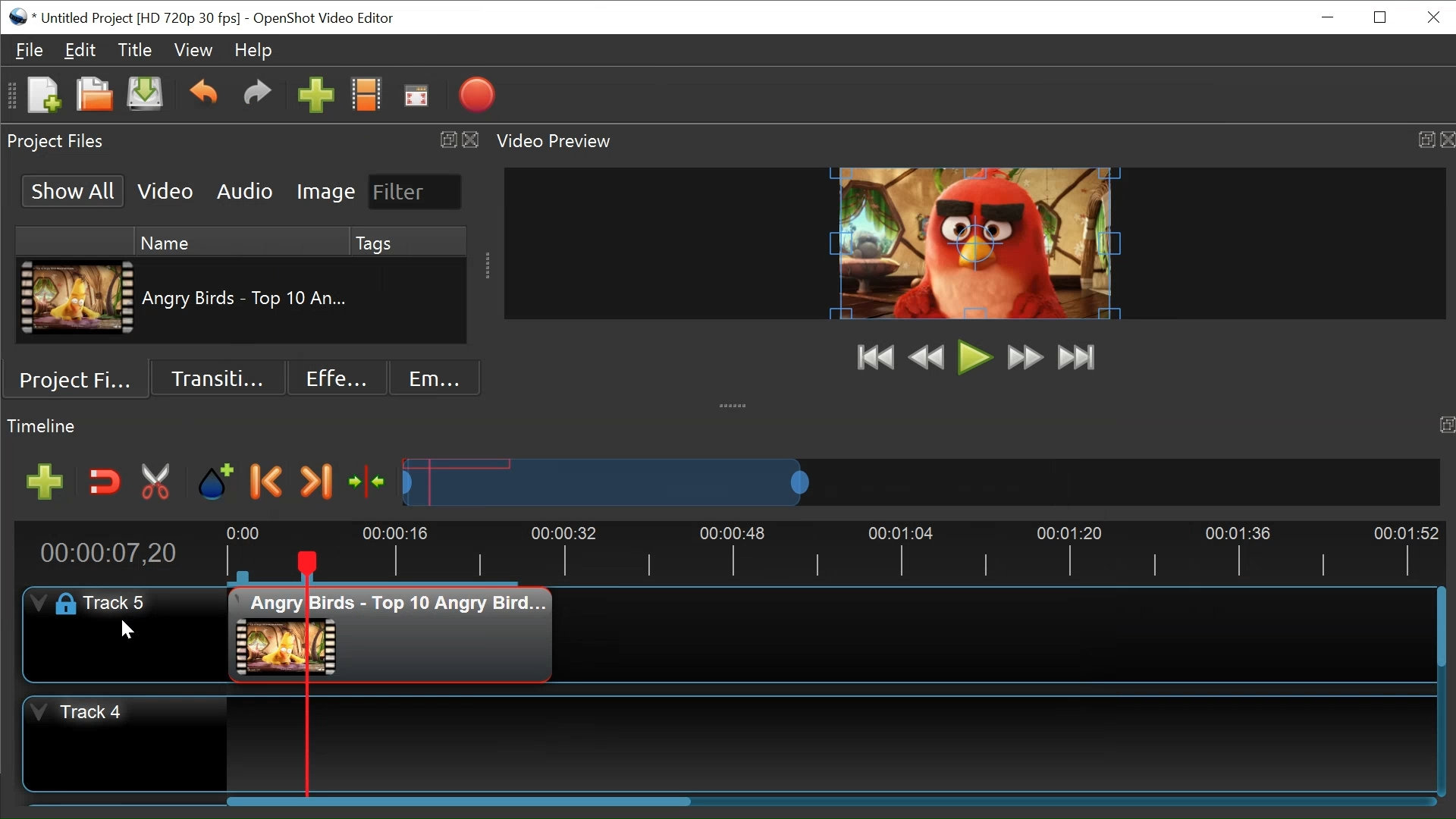 The width and height of the screenshot is (1456, 819). I want to click on Image, so click(327, 191).